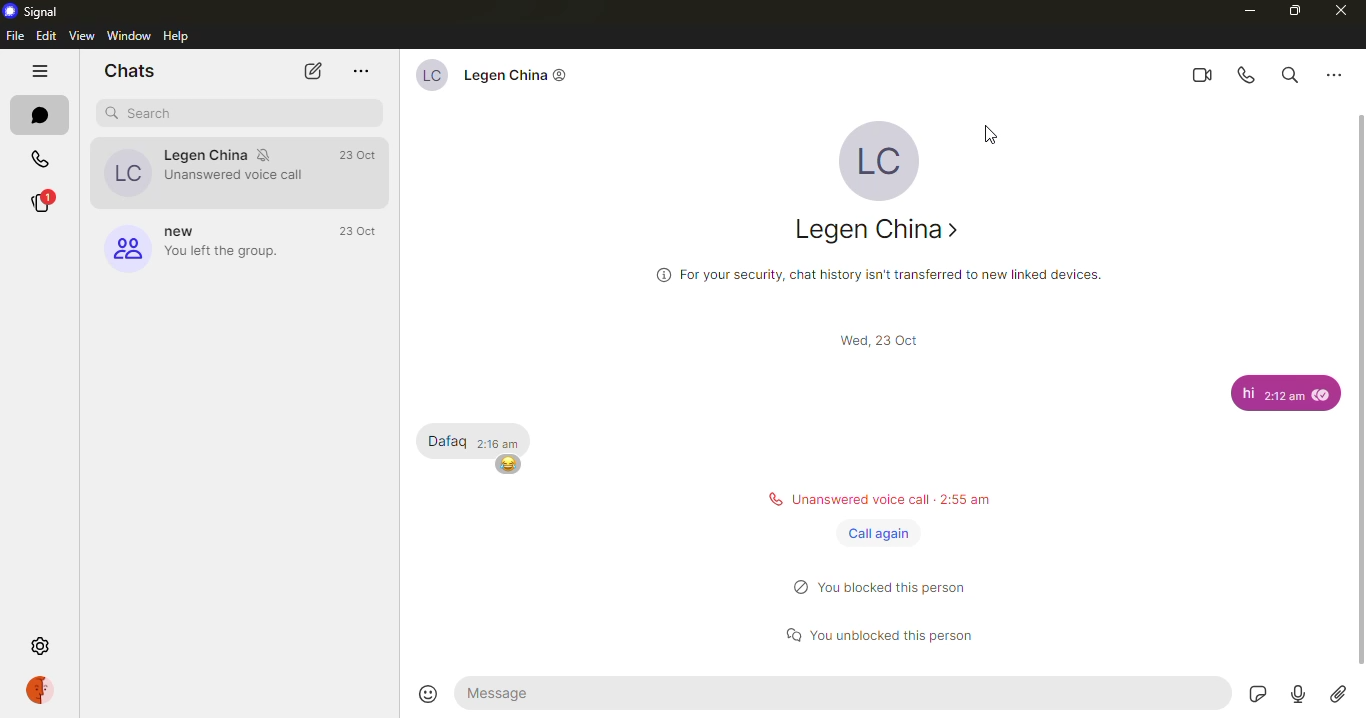 The height and width of the screenshot is (718, 1366). I want to click on hide tabs, so click(43, 69).